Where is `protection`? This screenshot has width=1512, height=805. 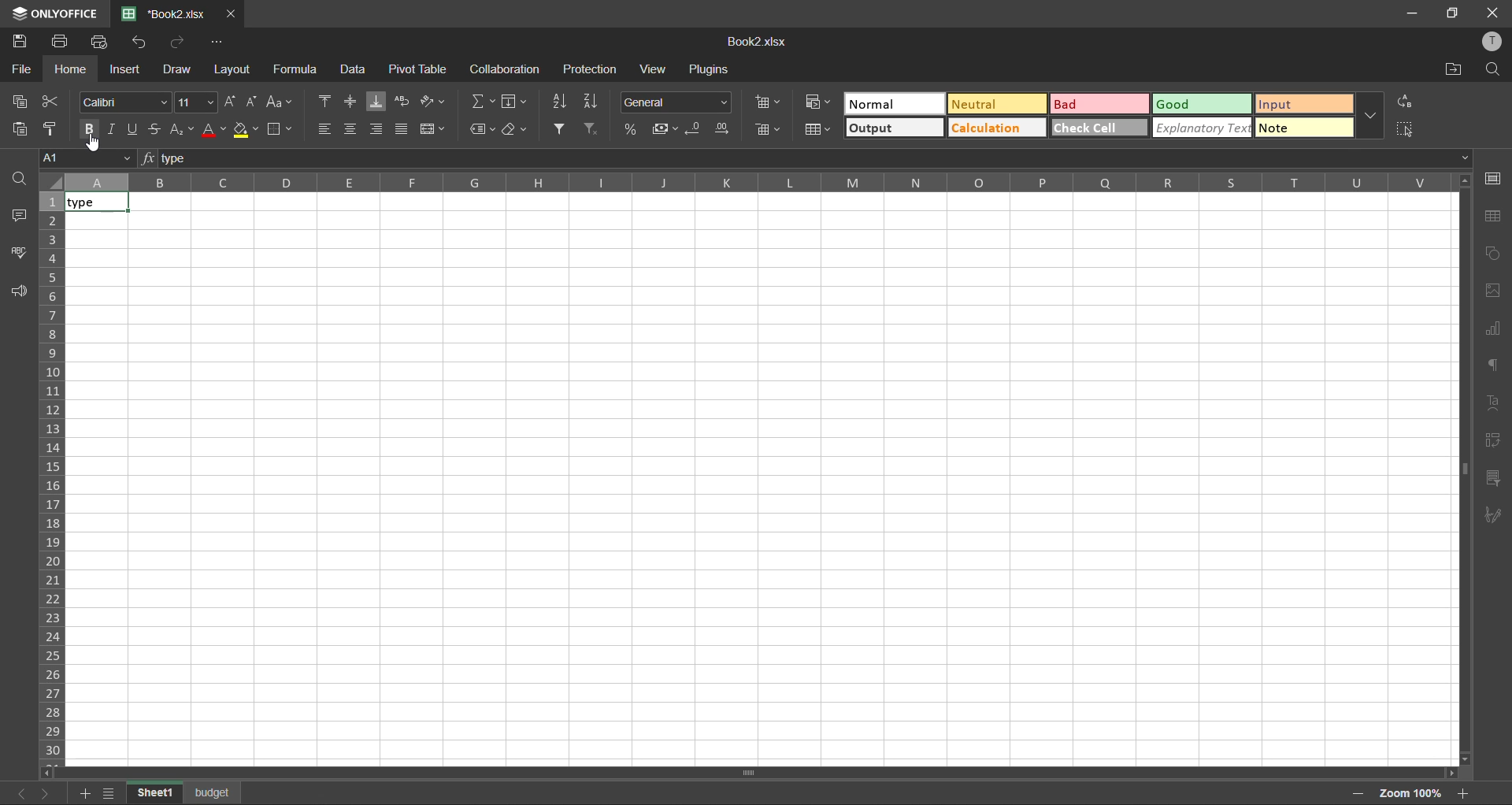
protection is located at coordinates (592, 70).